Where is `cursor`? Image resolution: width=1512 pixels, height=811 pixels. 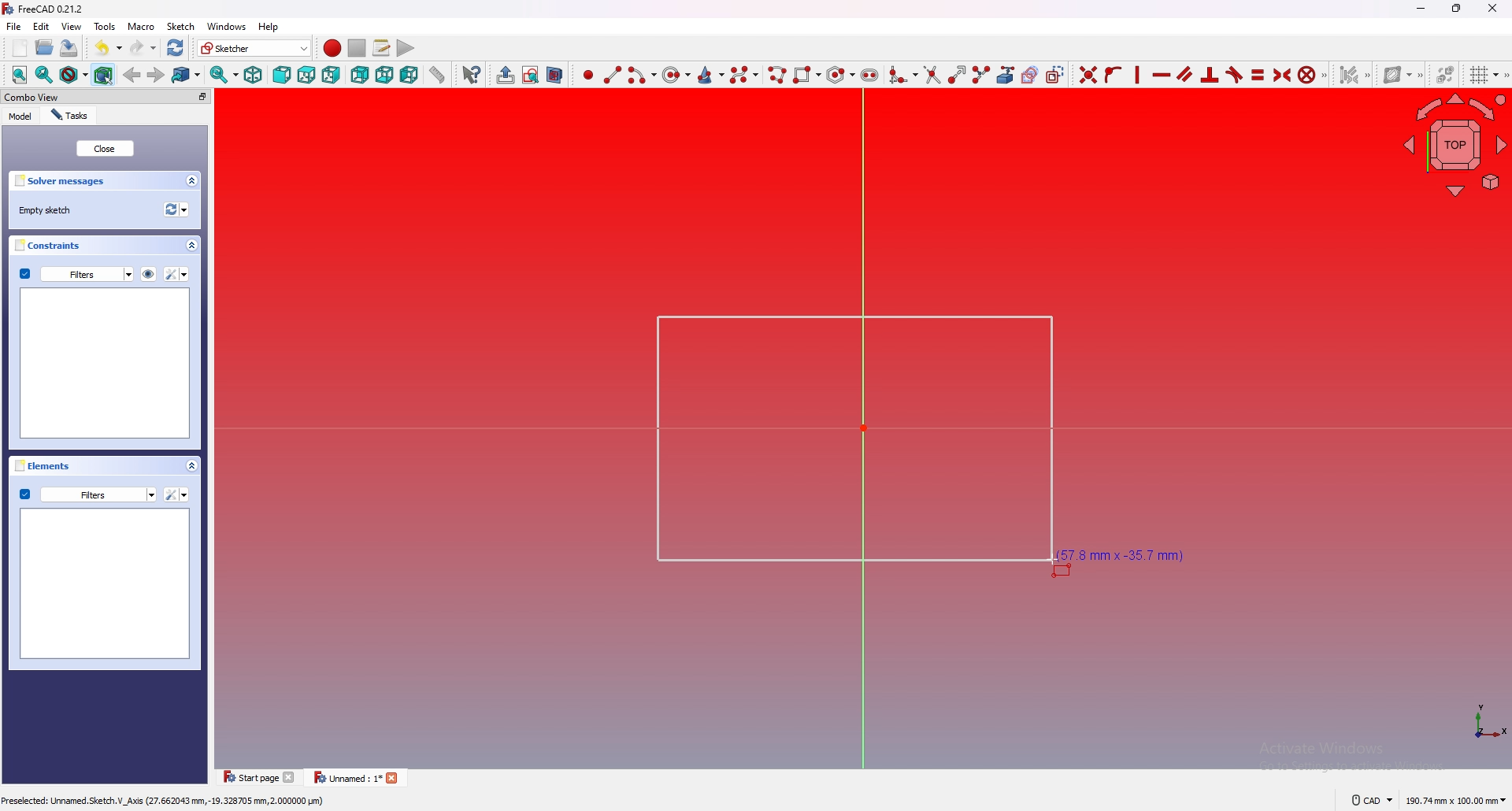
cursor is located at coordinates (1057, 561).